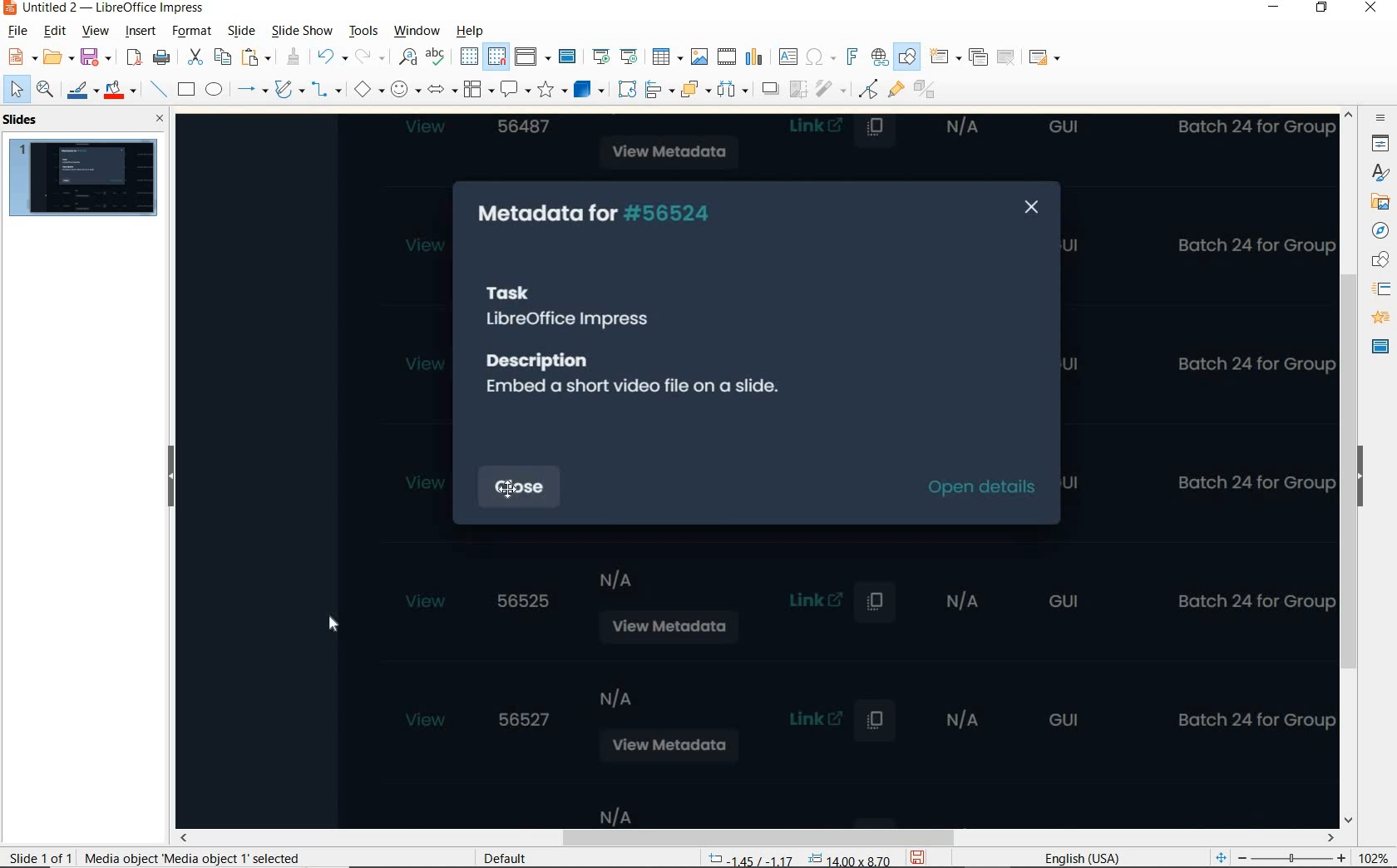 This screenshot has width=1397, height=868. Describe the element at coordinates (700, 57) in the screenshot. I see `INSERT IMAGE` at that location.